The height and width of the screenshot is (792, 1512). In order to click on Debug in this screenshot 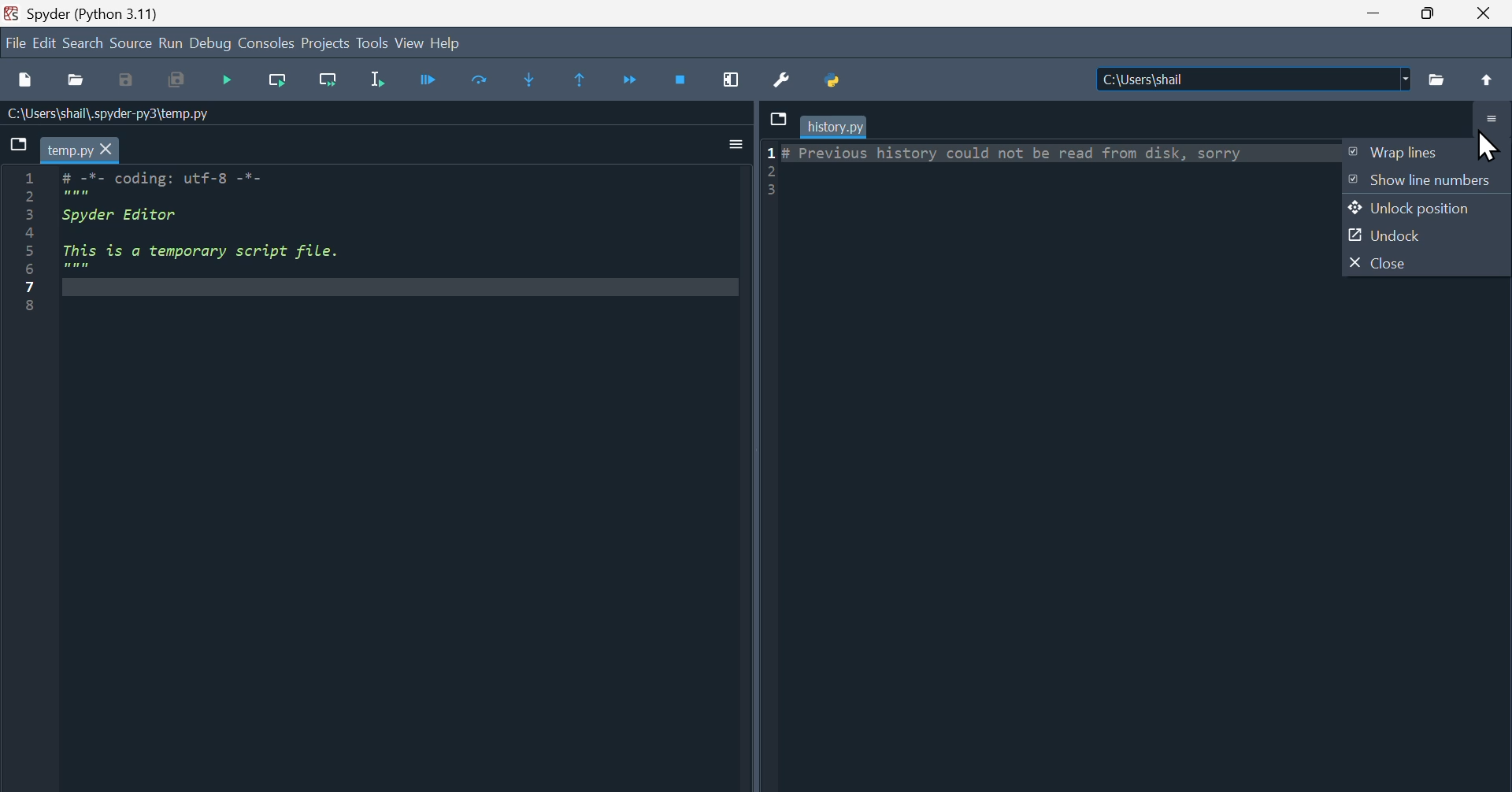, I will do `click(209, 43)`.